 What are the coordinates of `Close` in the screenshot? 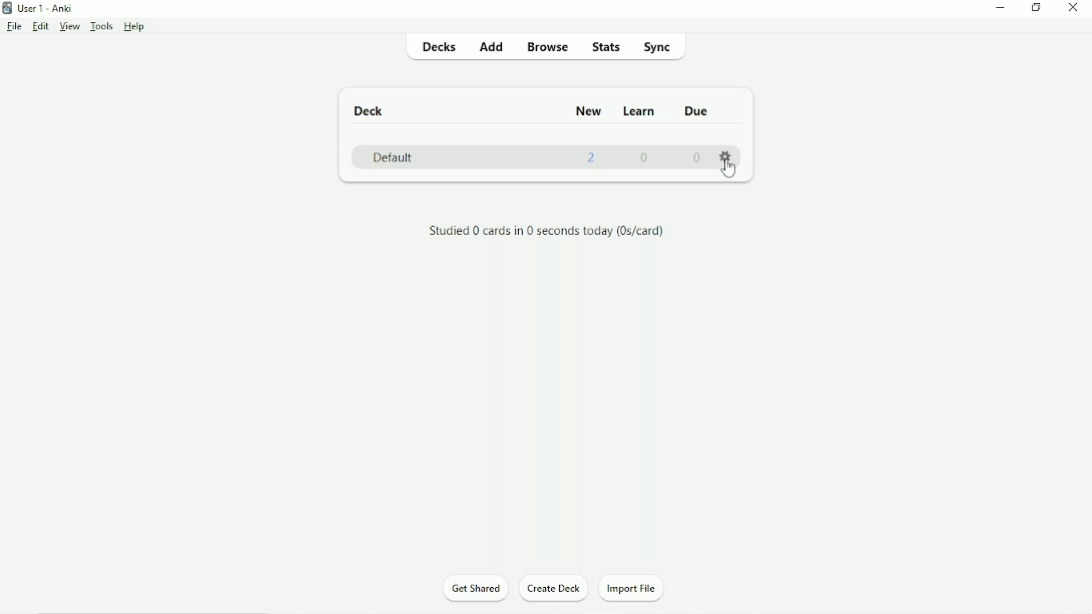 It's located at (1075, 8).